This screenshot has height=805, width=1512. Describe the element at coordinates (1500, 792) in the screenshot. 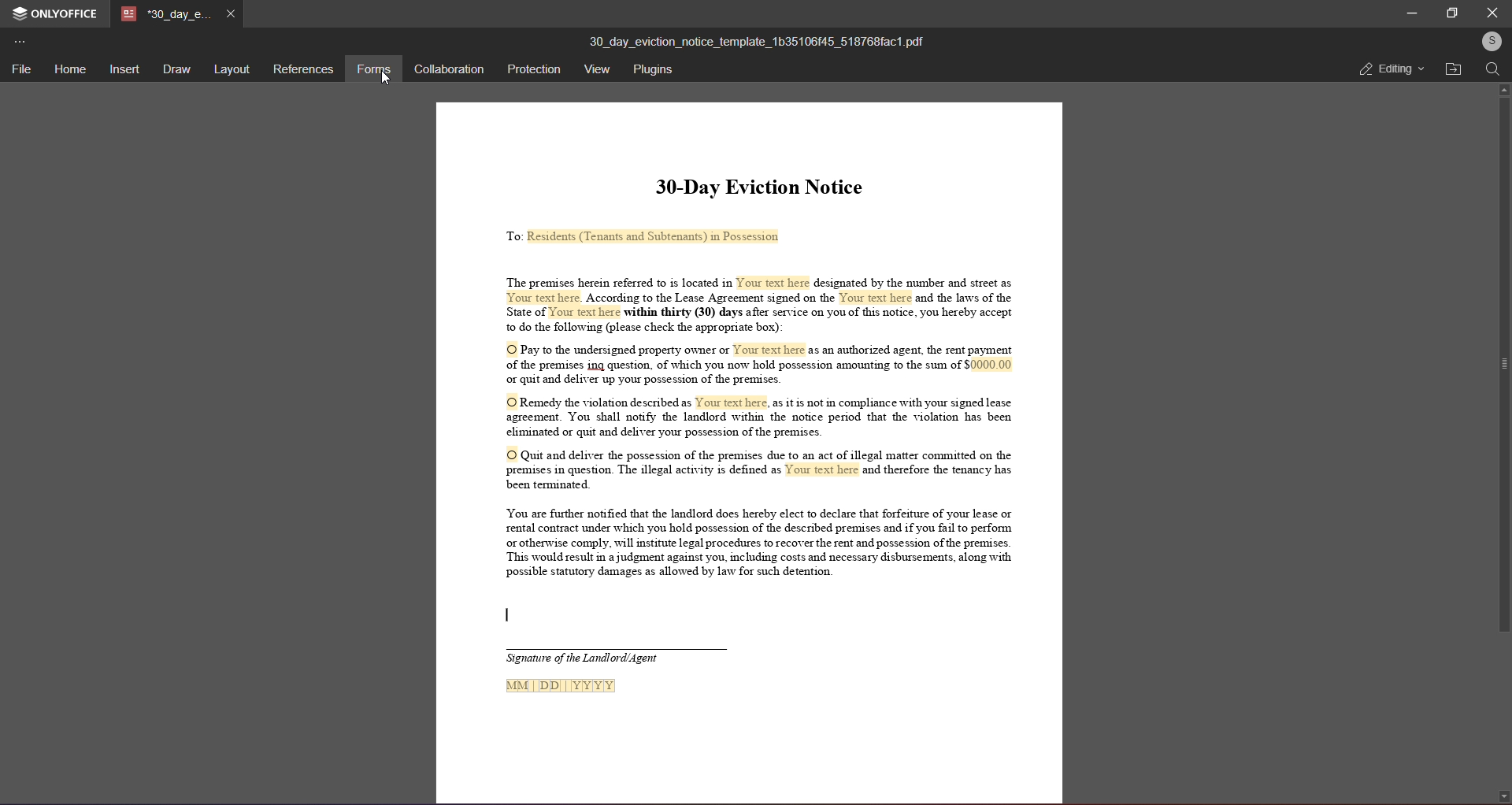

I see `down` at that location.